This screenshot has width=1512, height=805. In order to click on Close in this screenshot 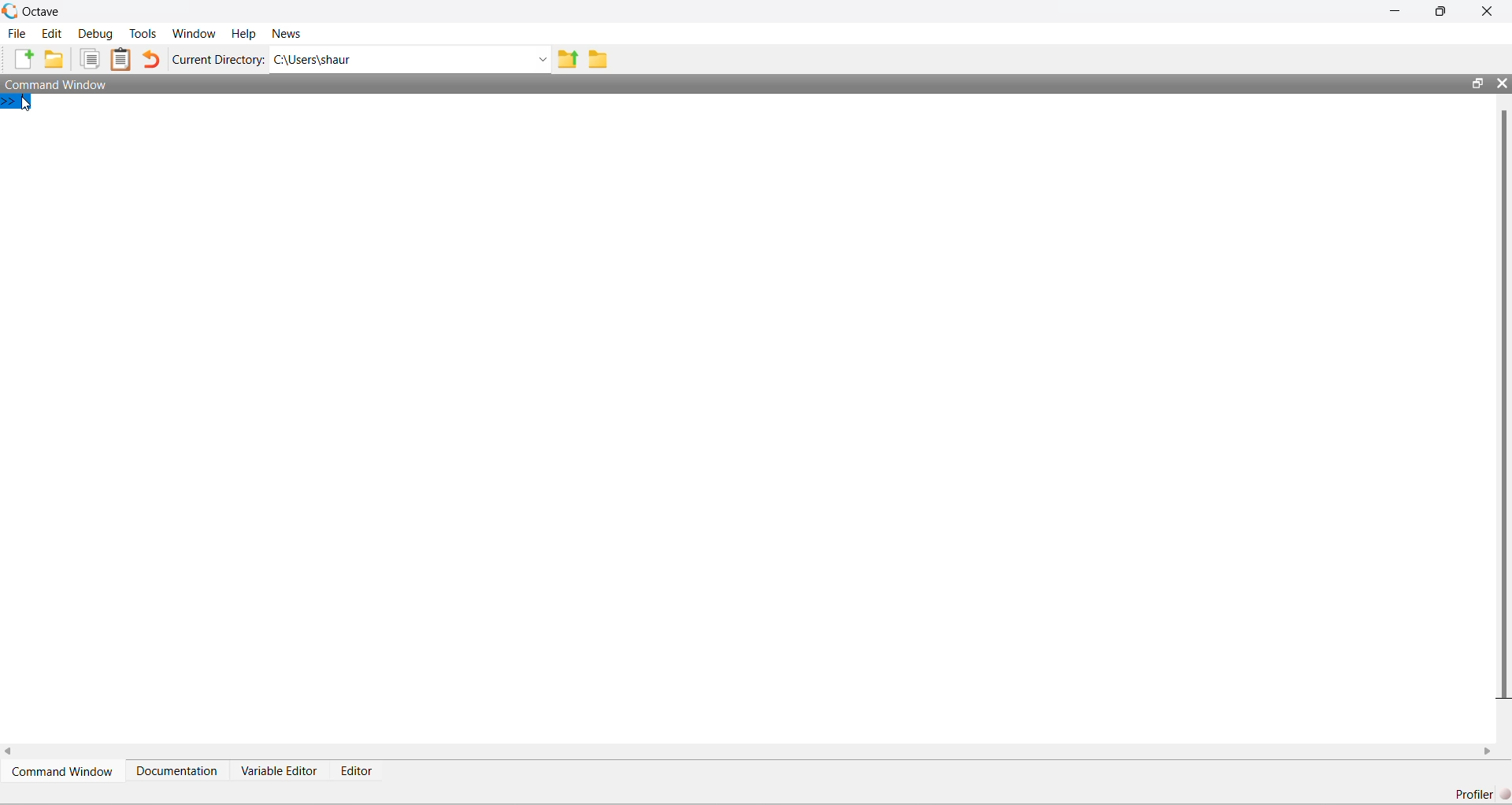, I will do `click(1488, 12)`.